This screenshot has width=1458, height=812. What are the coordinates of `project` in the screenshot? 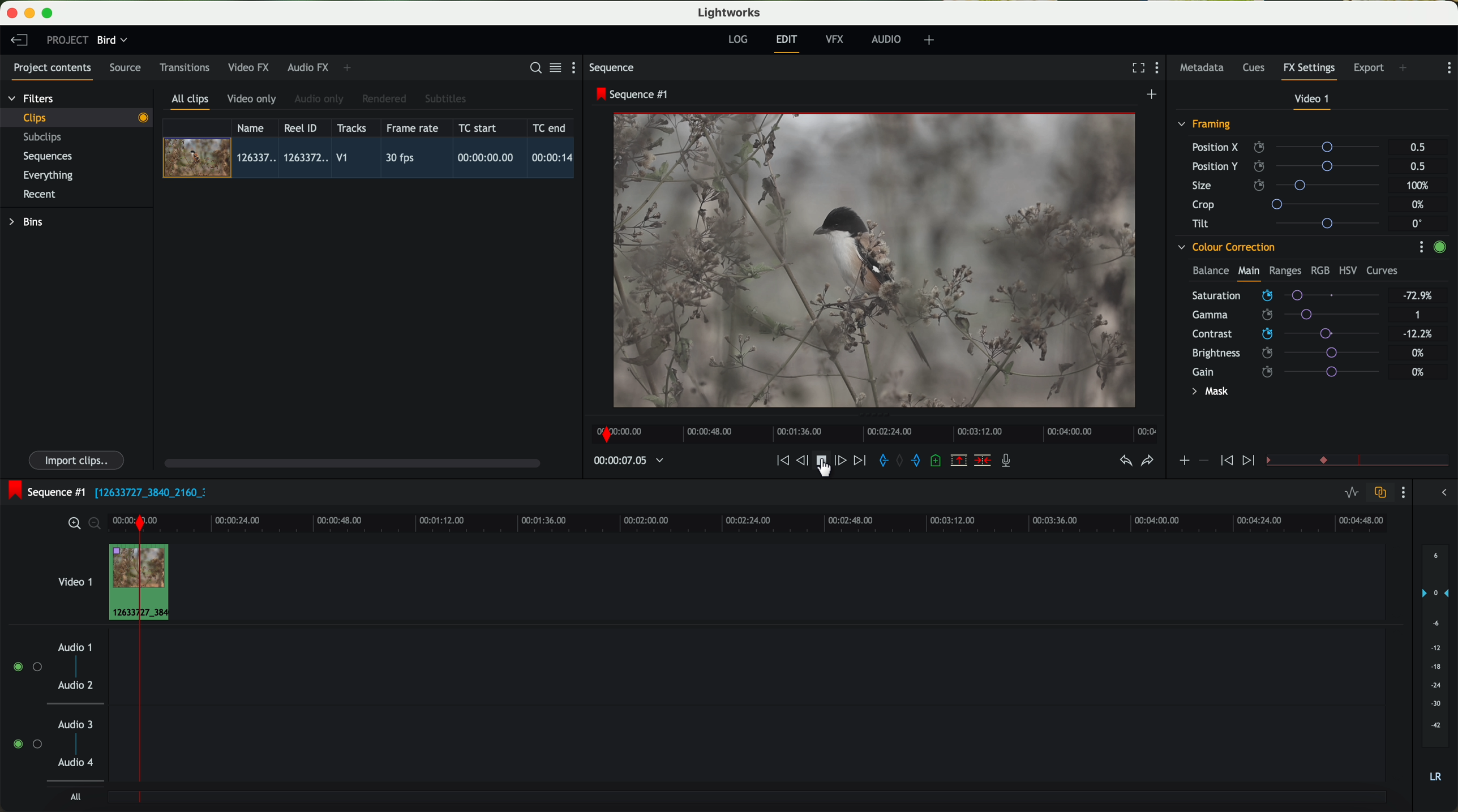 It's located at (67, 40).